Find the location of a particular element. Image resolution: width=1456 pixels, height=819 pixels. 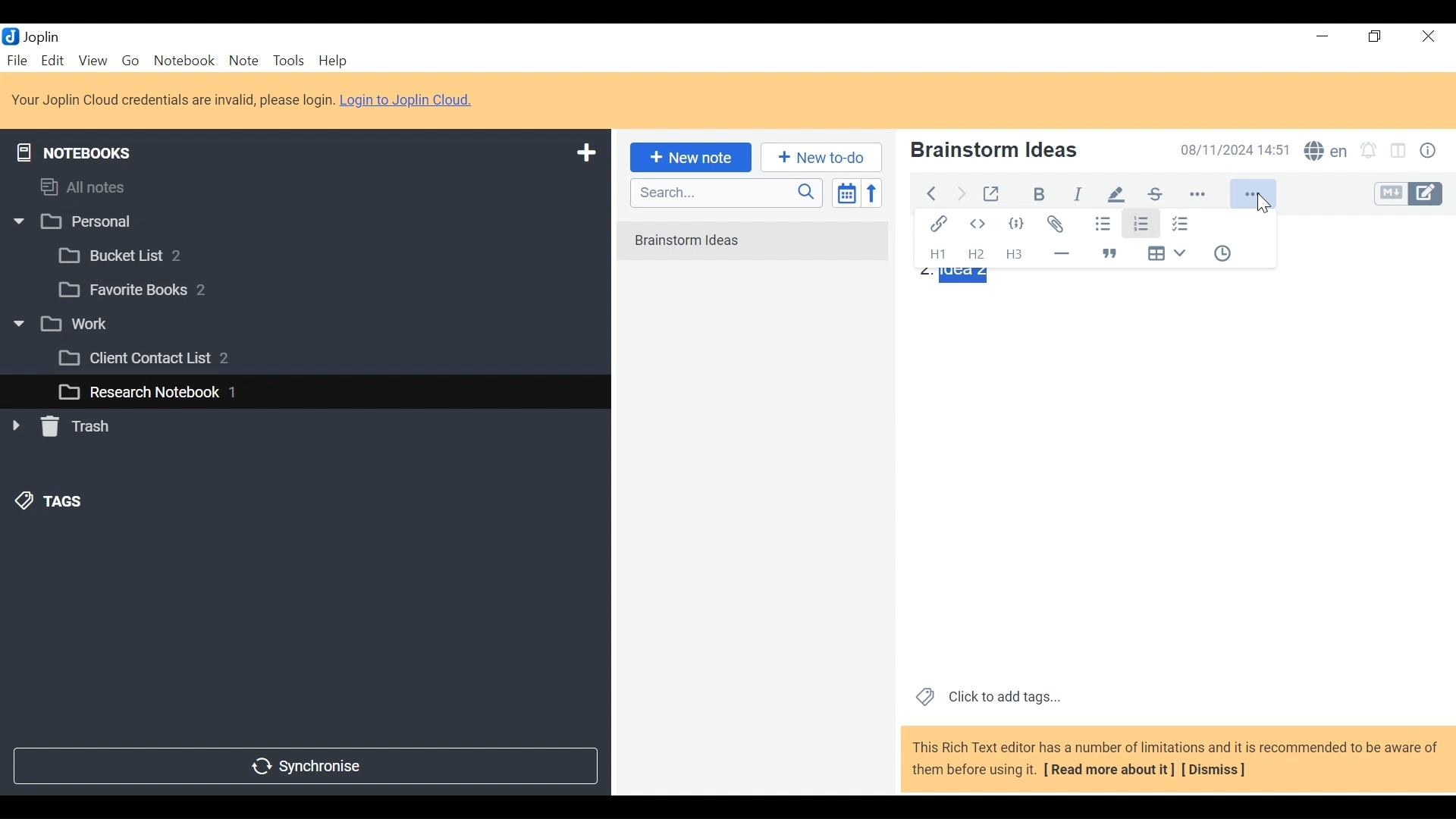

Attach file is located at coordinates (1056, 224).